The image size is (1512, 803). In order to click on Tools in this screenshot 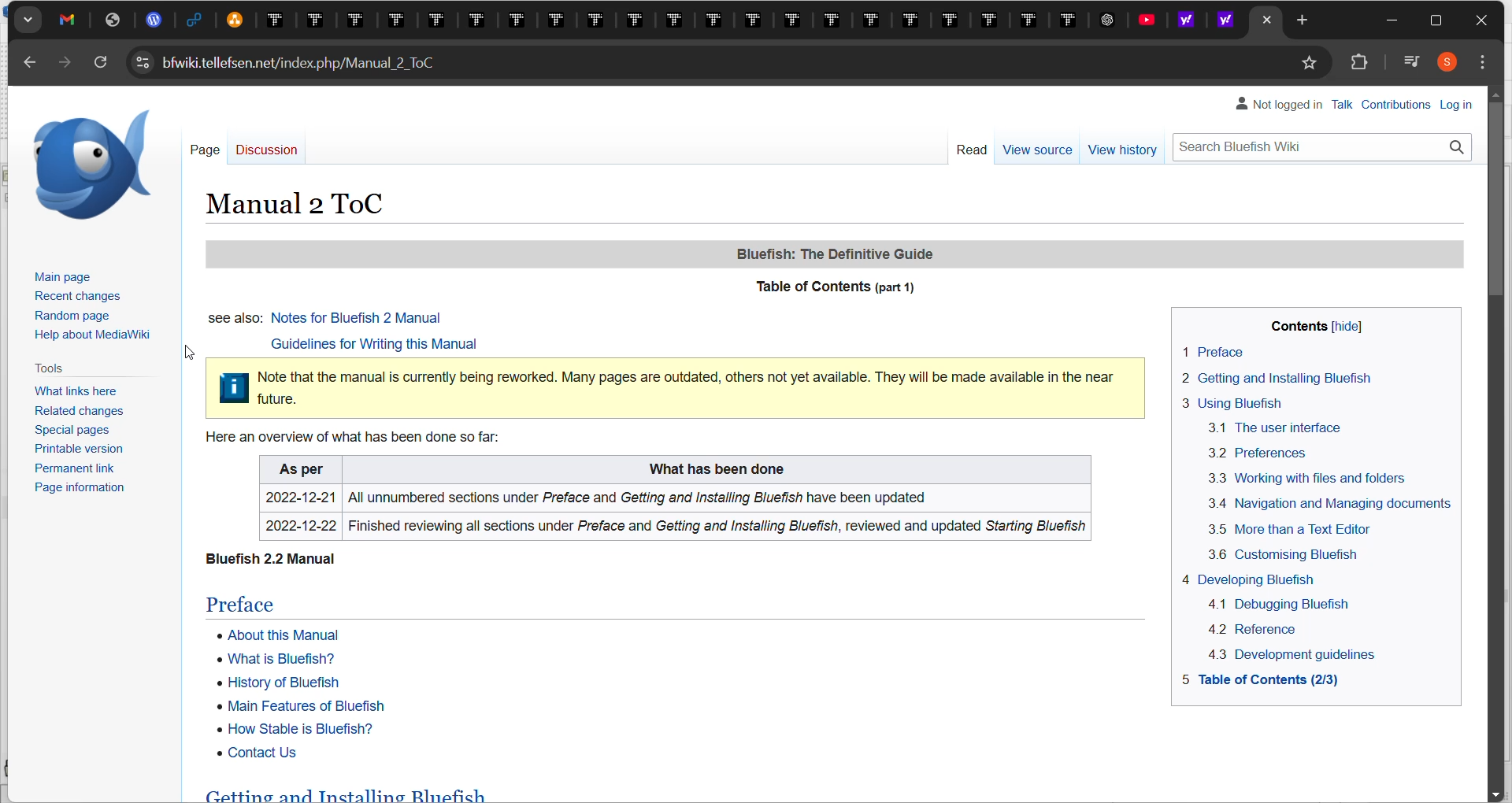, I will do `click(46, 366)`.